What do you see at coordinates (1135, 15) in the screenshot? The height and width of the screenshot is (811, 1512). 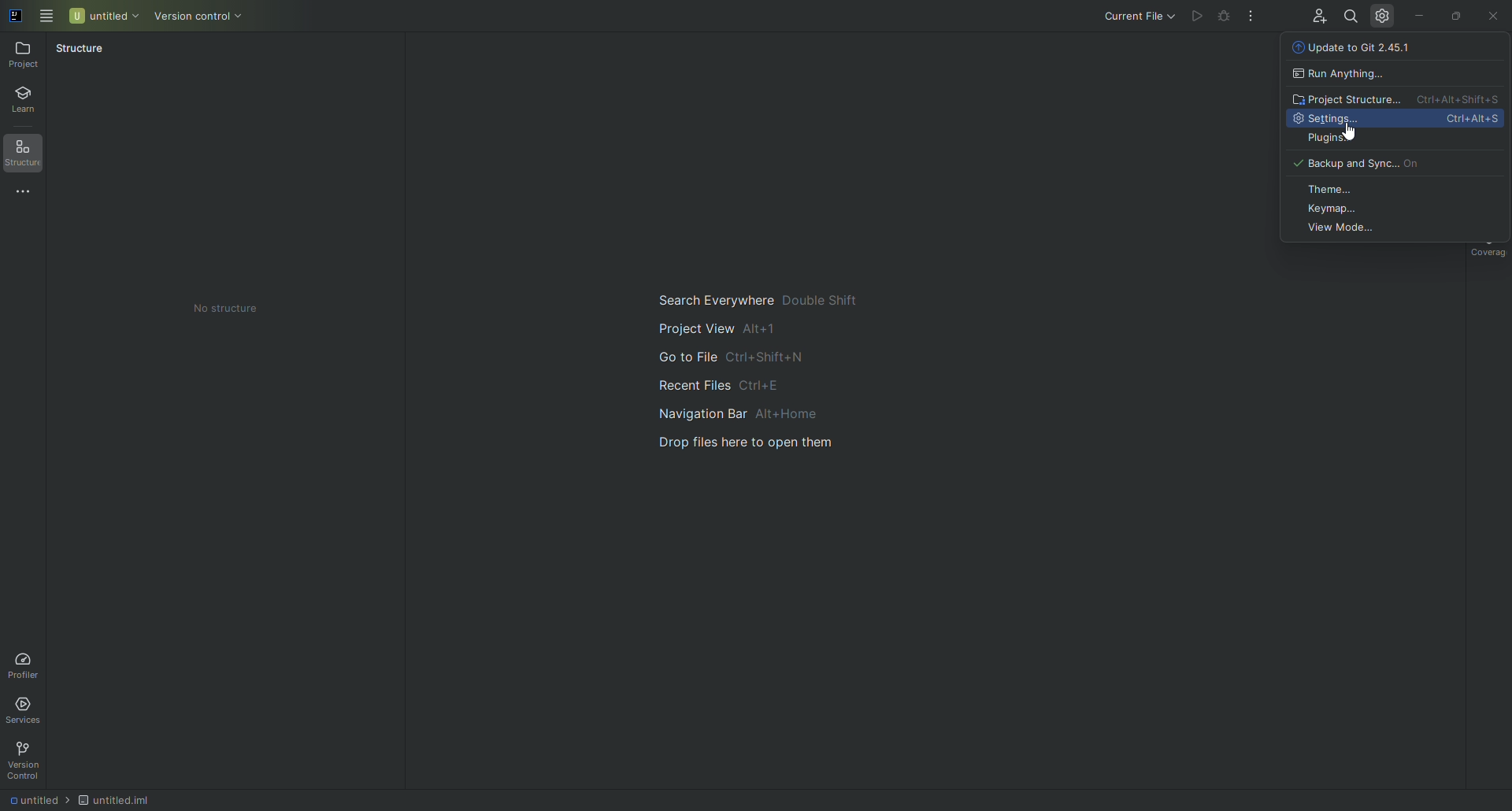 I see `Current file` at bounding box center [1135, 15].